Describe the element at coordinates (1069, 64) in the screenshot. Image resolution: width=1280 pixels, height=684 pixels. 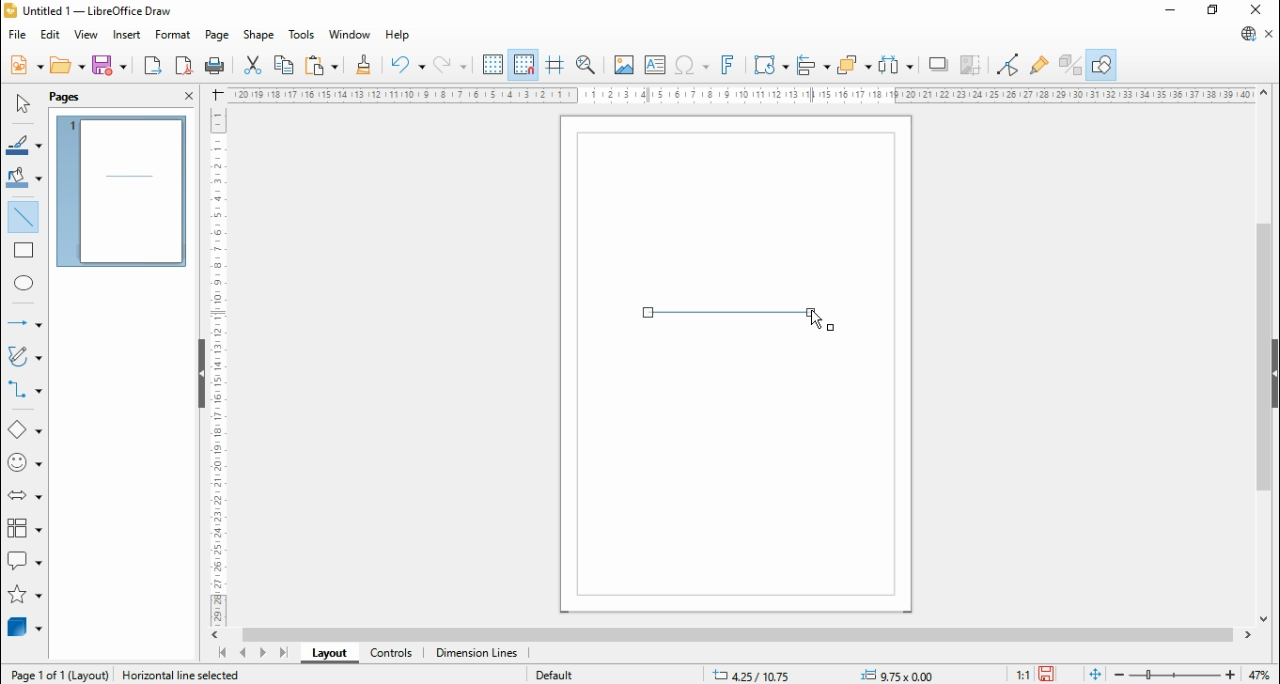
I see `toggle extrusions` at that location.